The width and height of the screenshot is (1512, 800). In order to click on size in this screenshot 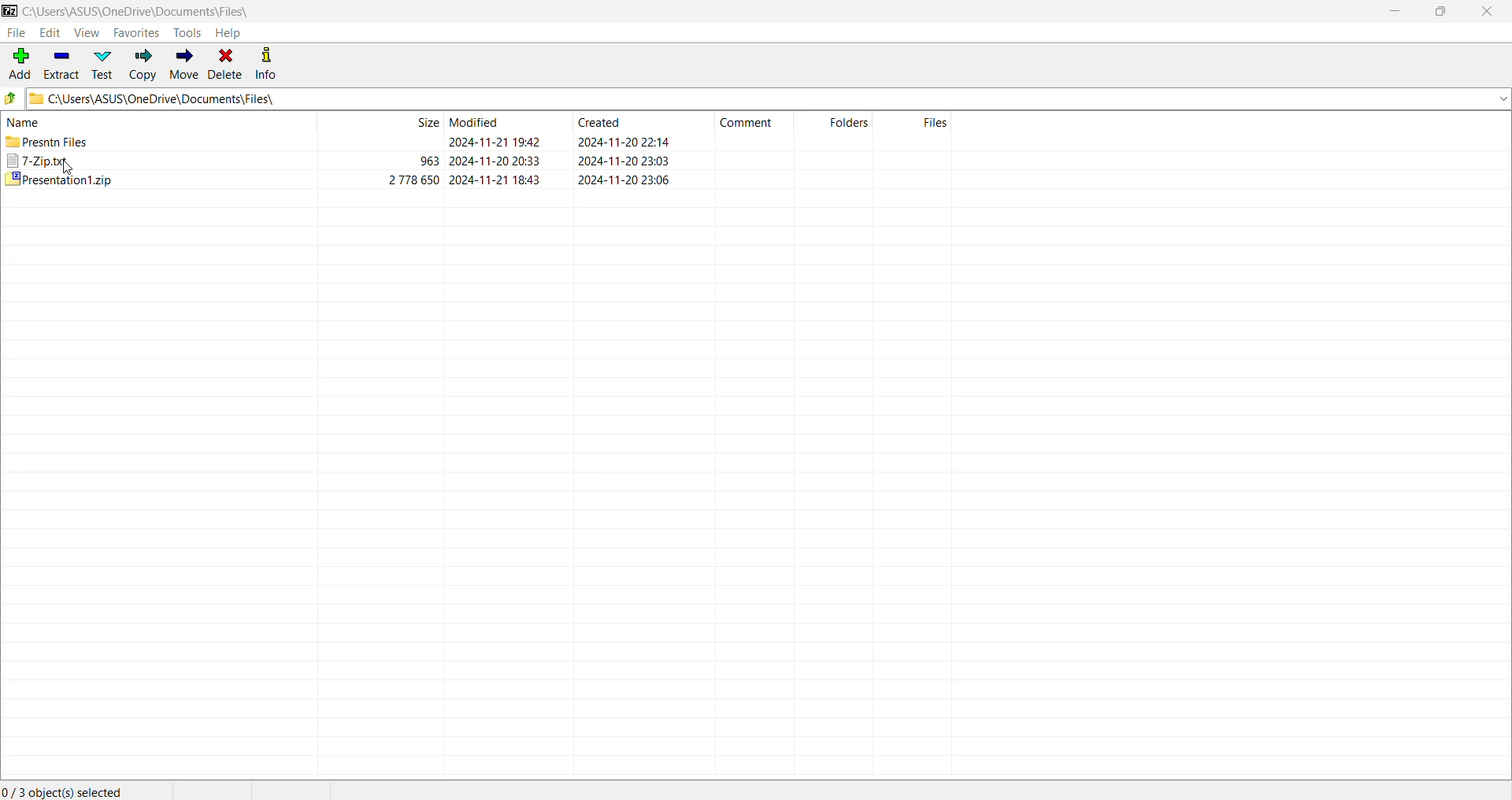, I will do `click(428, 122)`.